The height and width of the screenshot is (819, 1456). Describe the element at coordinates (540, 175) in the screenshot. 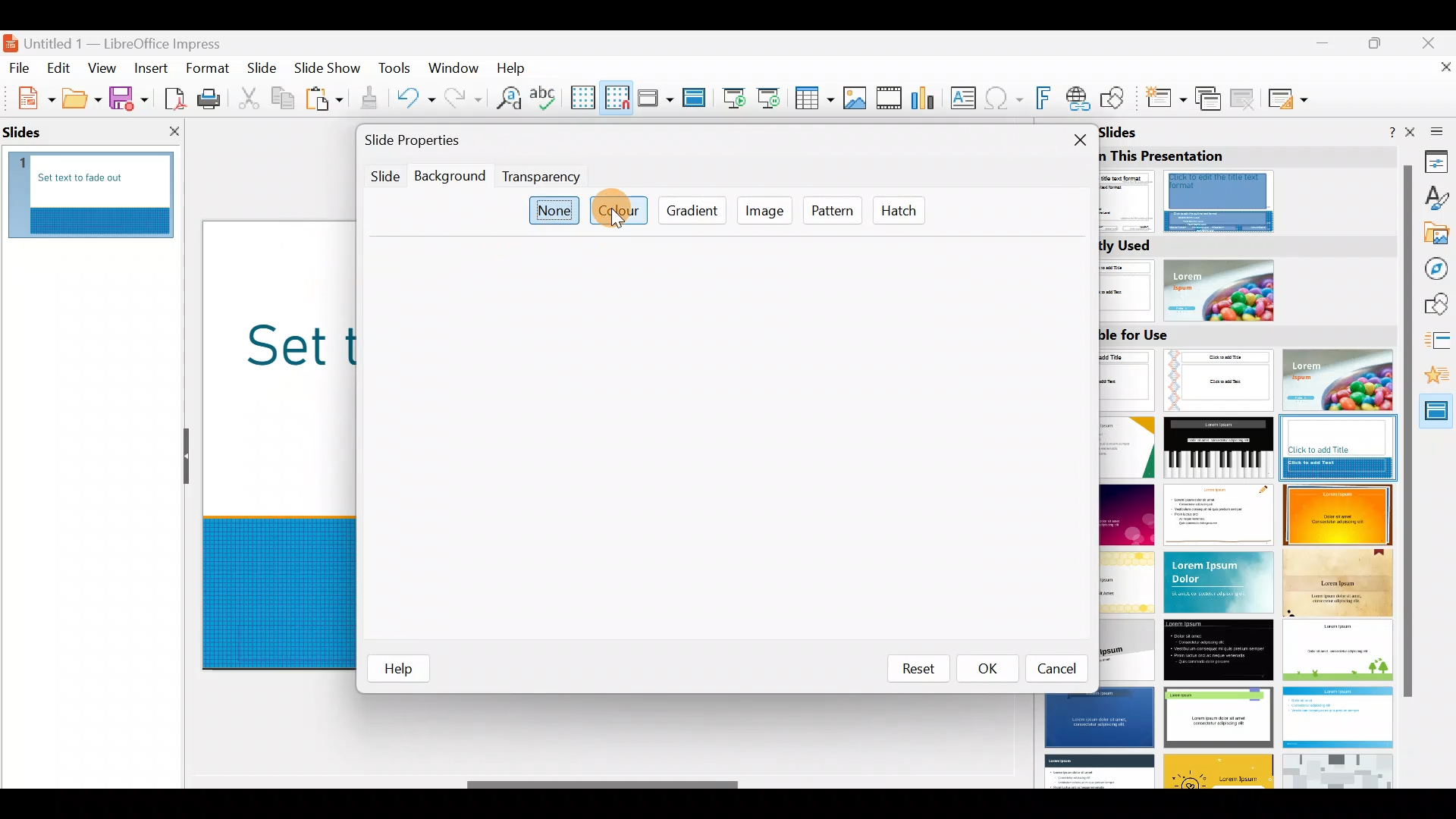

I see `Transparency` at that location.